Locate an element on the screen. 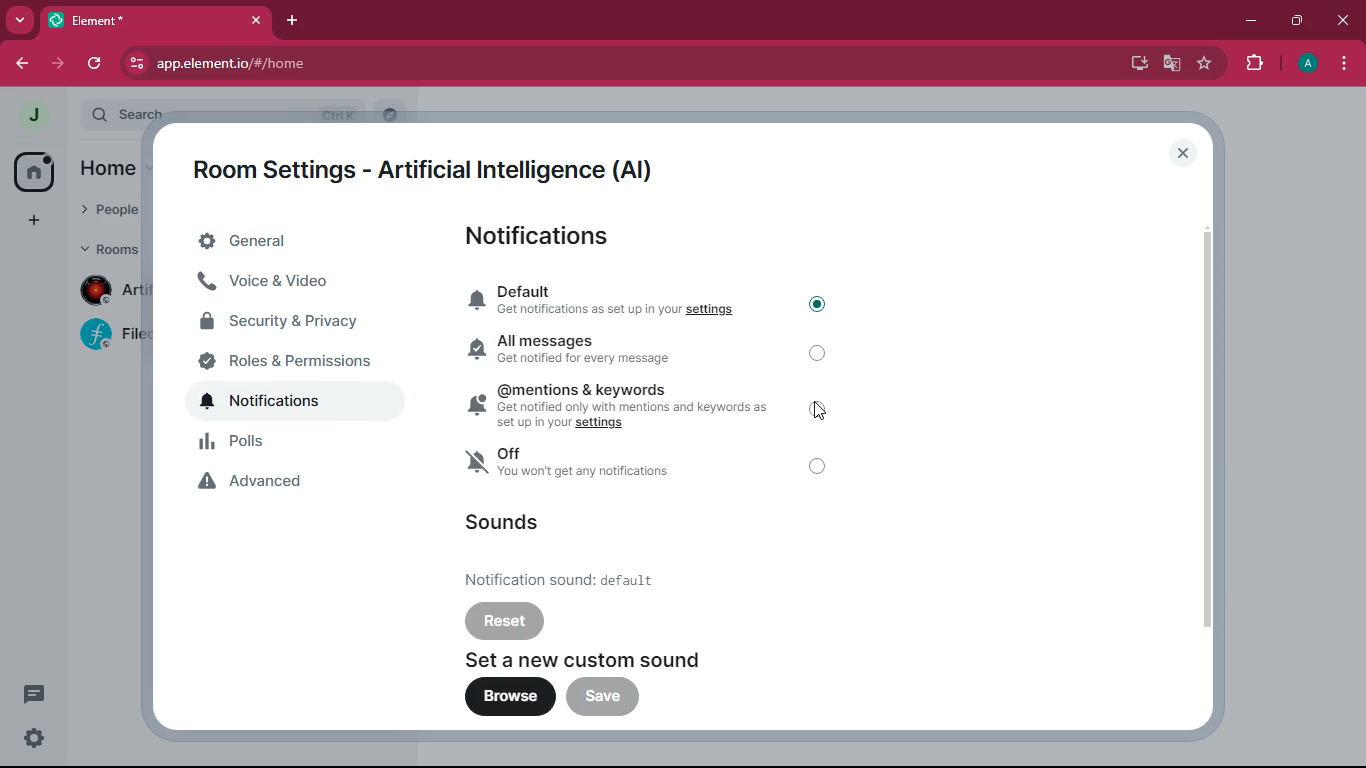 The width and height of the screenshot is (1366, 768). message is located at coordinates (32, 692).